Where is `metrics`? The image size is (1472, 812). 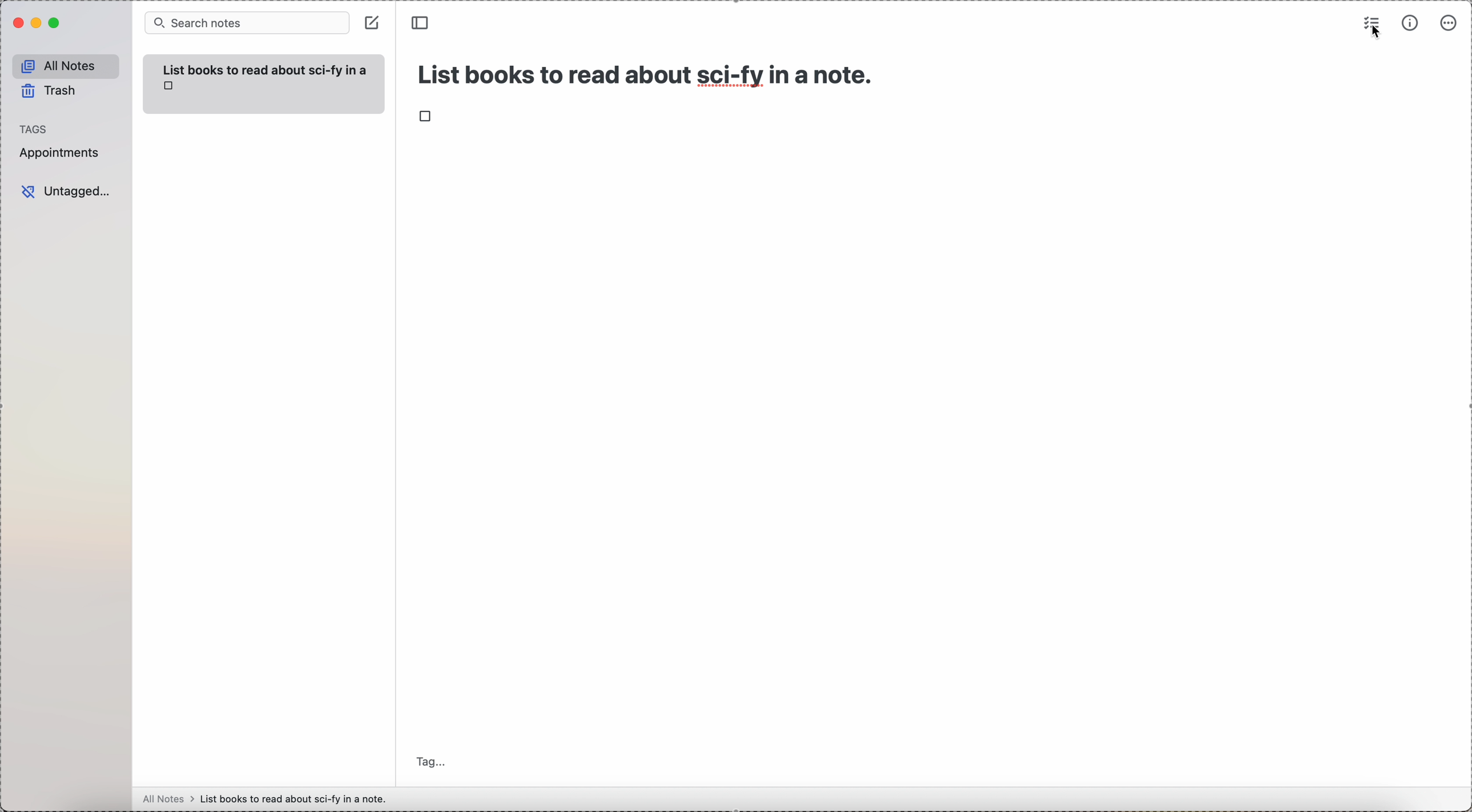 metrics is located at coordinates (1407, 23).